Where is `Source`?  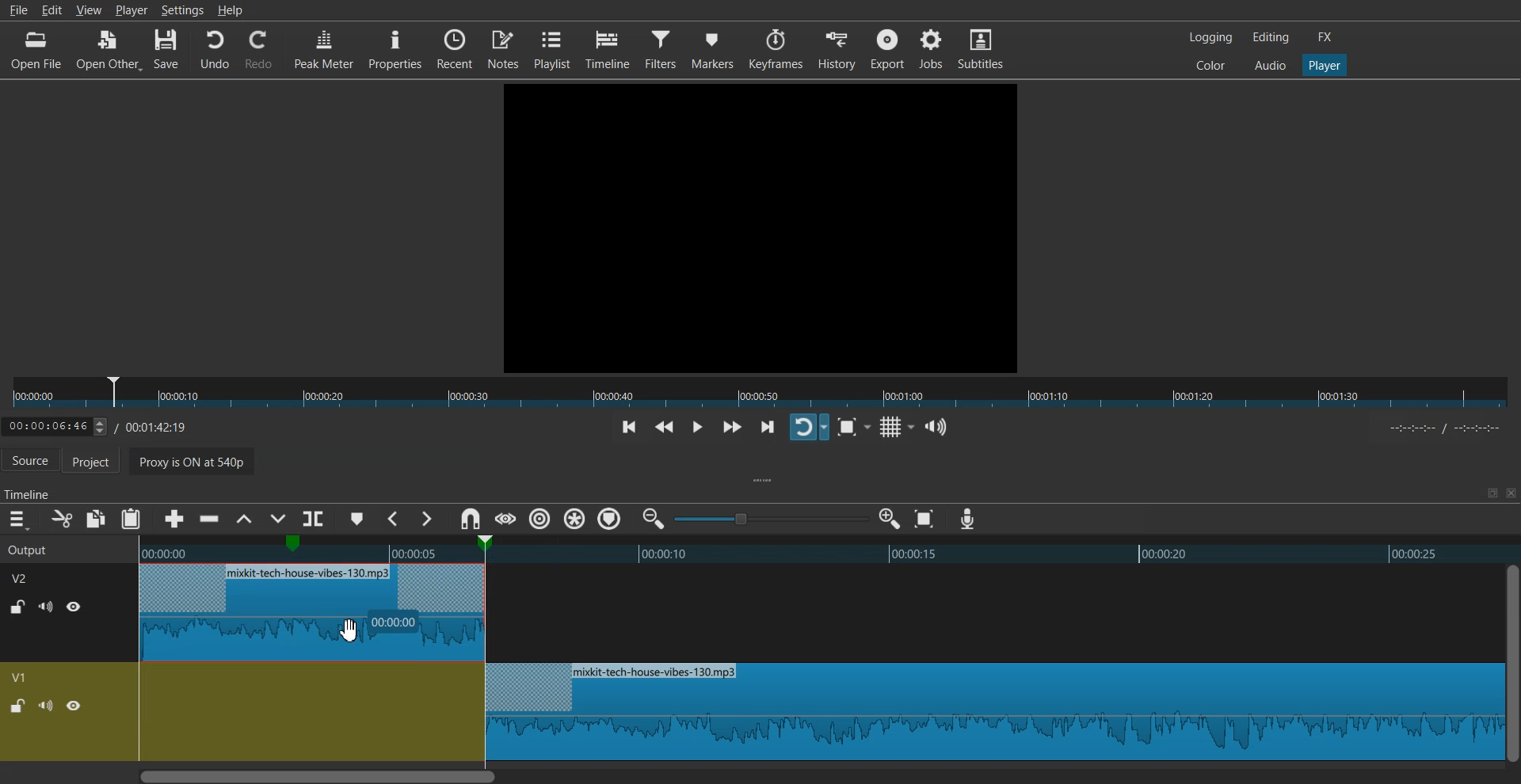
Source is located at coordinates (30, 462).